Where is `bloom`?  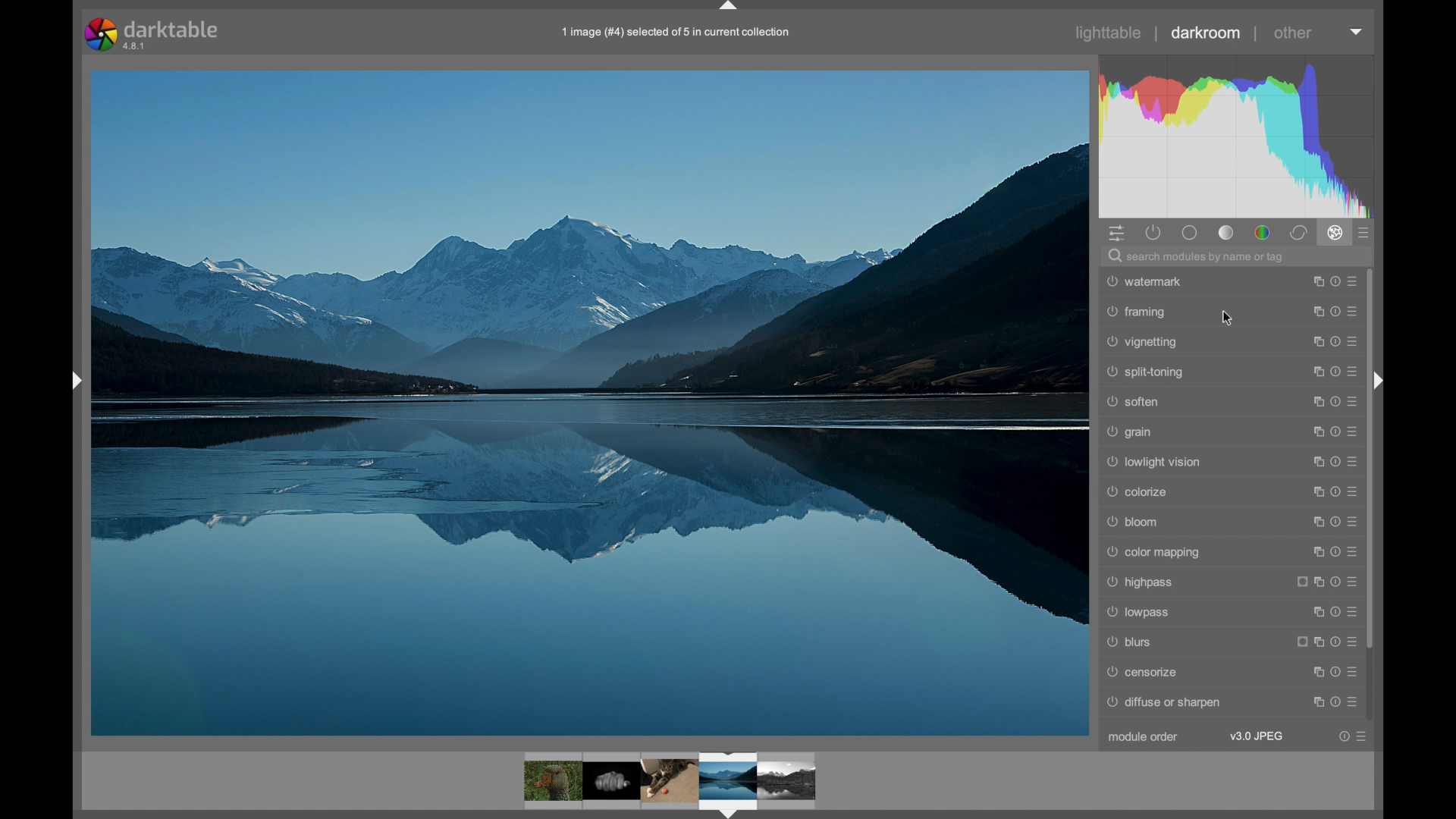
bloom is located at coordinates (1133, 522).